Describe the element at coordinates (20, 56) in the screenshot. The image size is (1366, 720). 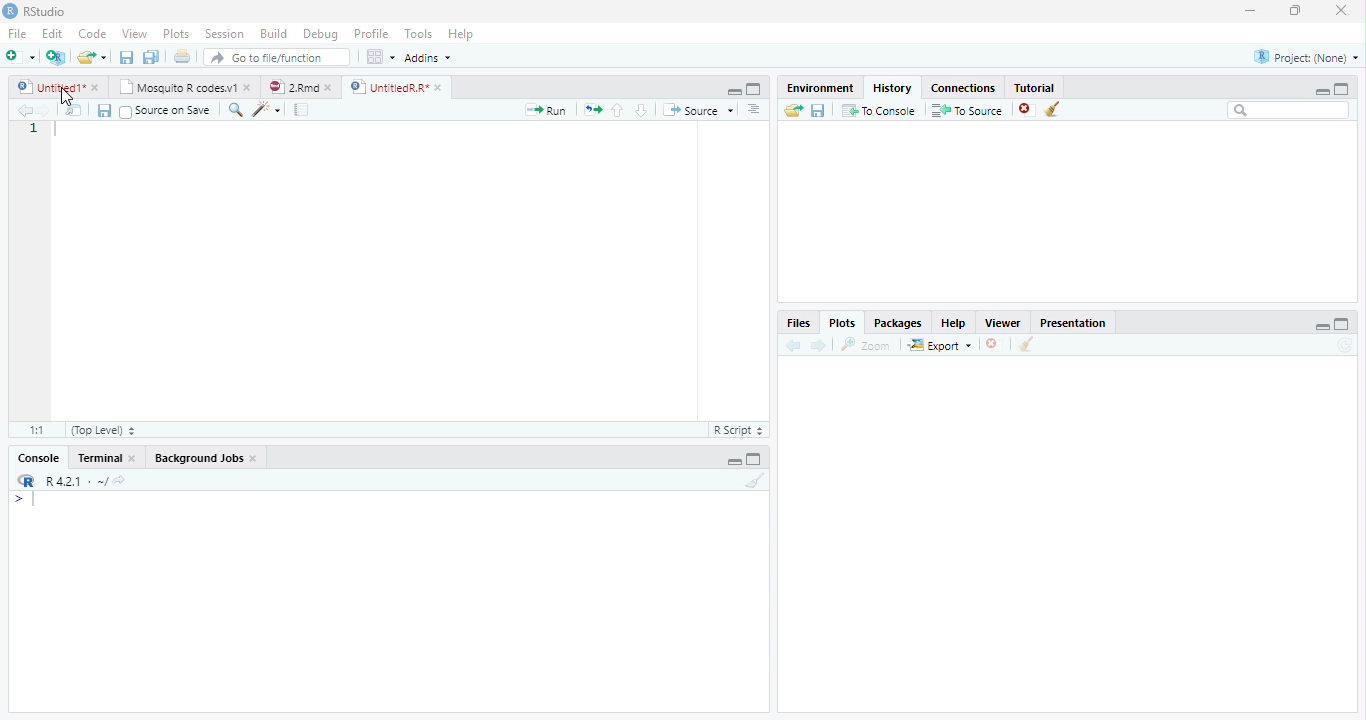
I see `New file` at that location.